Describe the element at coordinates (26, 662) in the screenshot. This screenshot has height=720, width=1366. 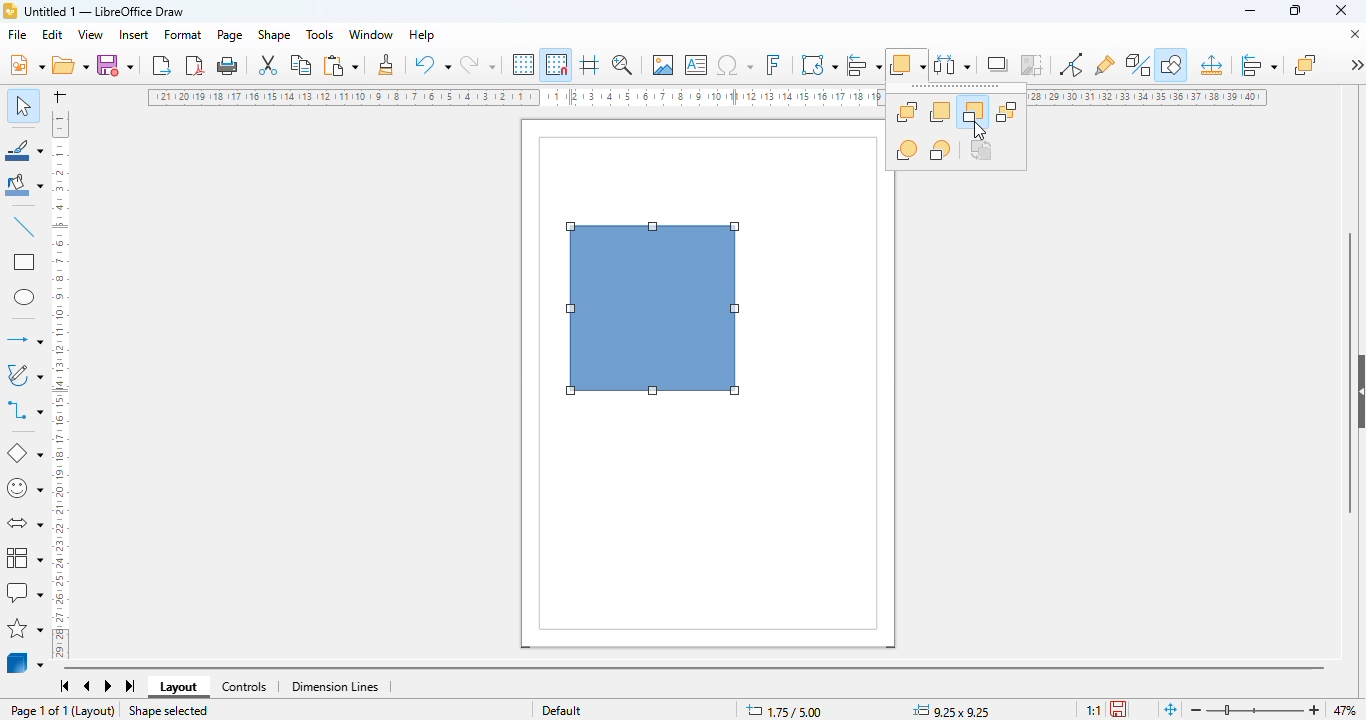
I see `3D objects` at that location.